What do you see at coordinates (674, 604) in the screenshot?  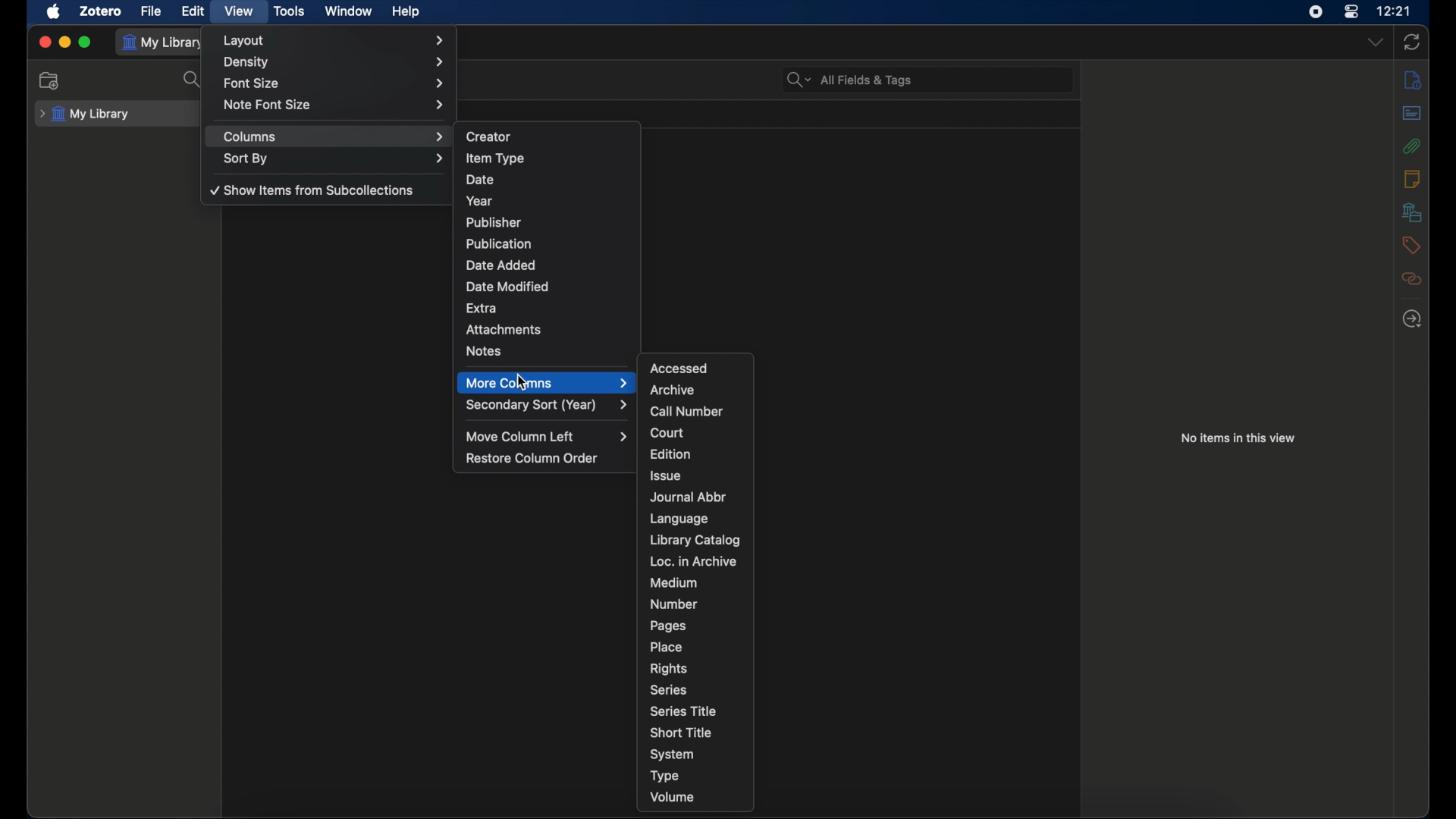 I see `number` at bounding box center [674, 604].